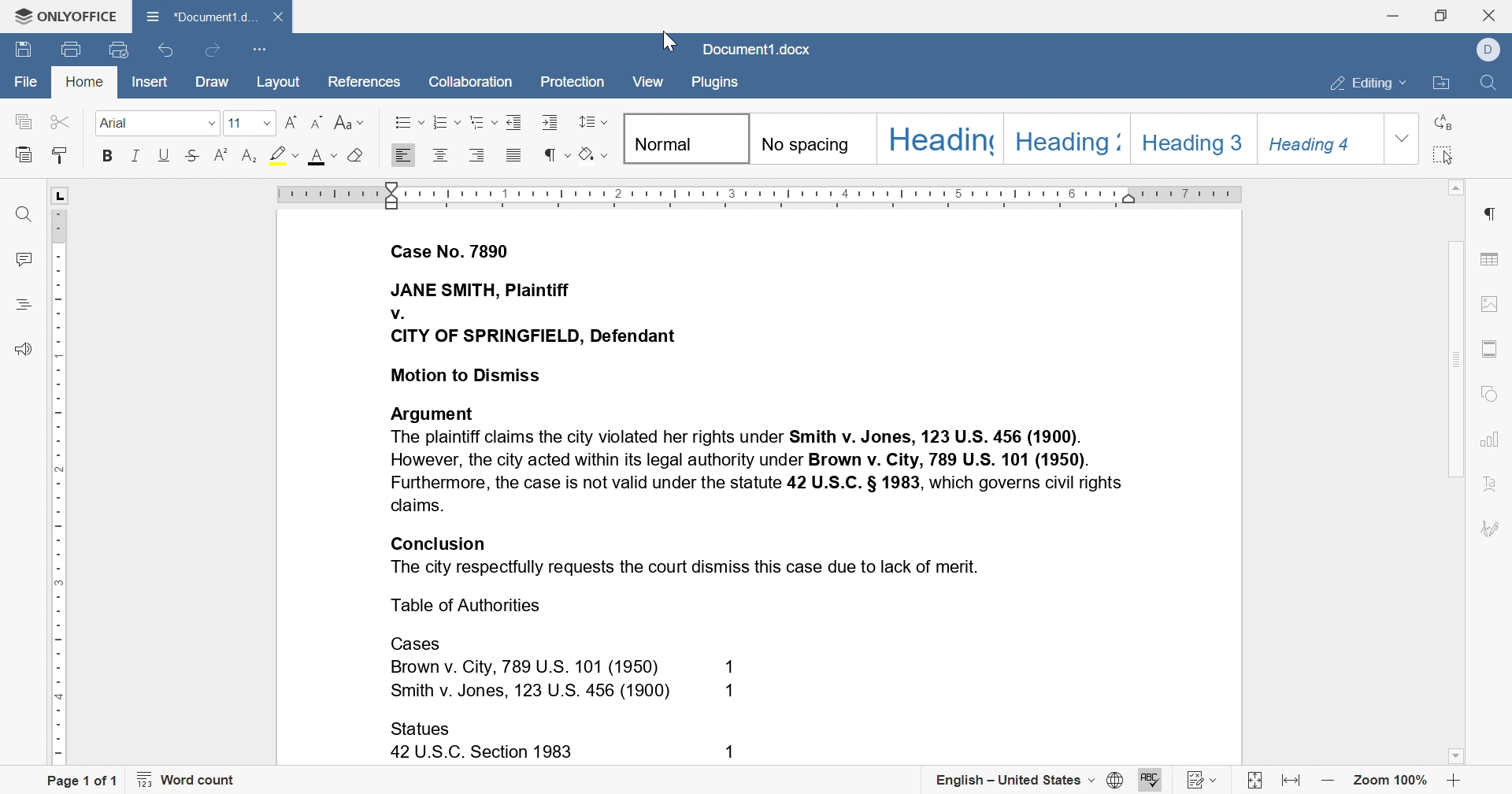 The height and width of the screenshot is (794, 1512). Describe the element at coordinates (1455, 780) in the screenshot. I see `zoom in` at that location.